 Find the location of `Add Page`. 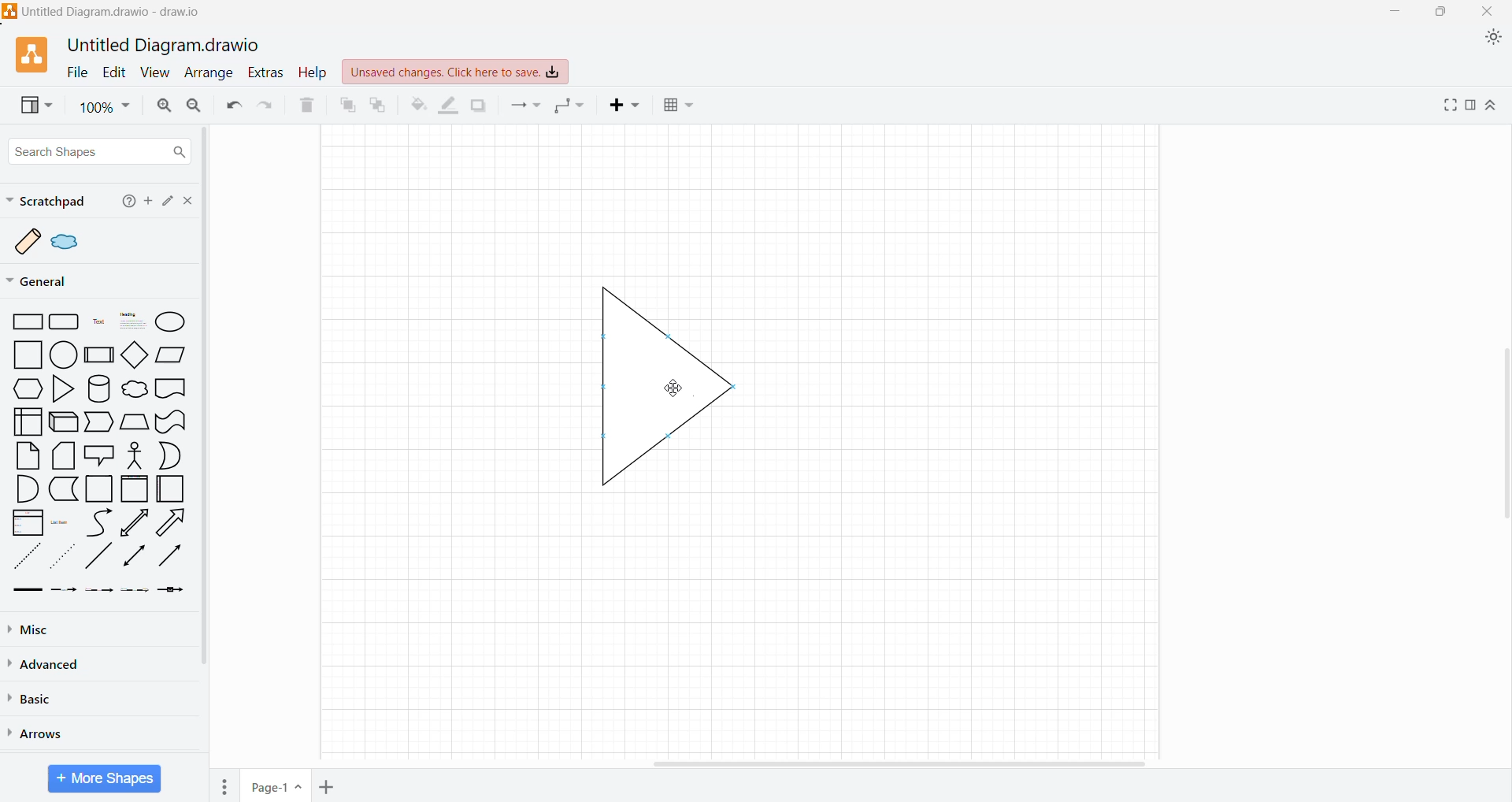

Add Page is located at coordinates (328, 785).